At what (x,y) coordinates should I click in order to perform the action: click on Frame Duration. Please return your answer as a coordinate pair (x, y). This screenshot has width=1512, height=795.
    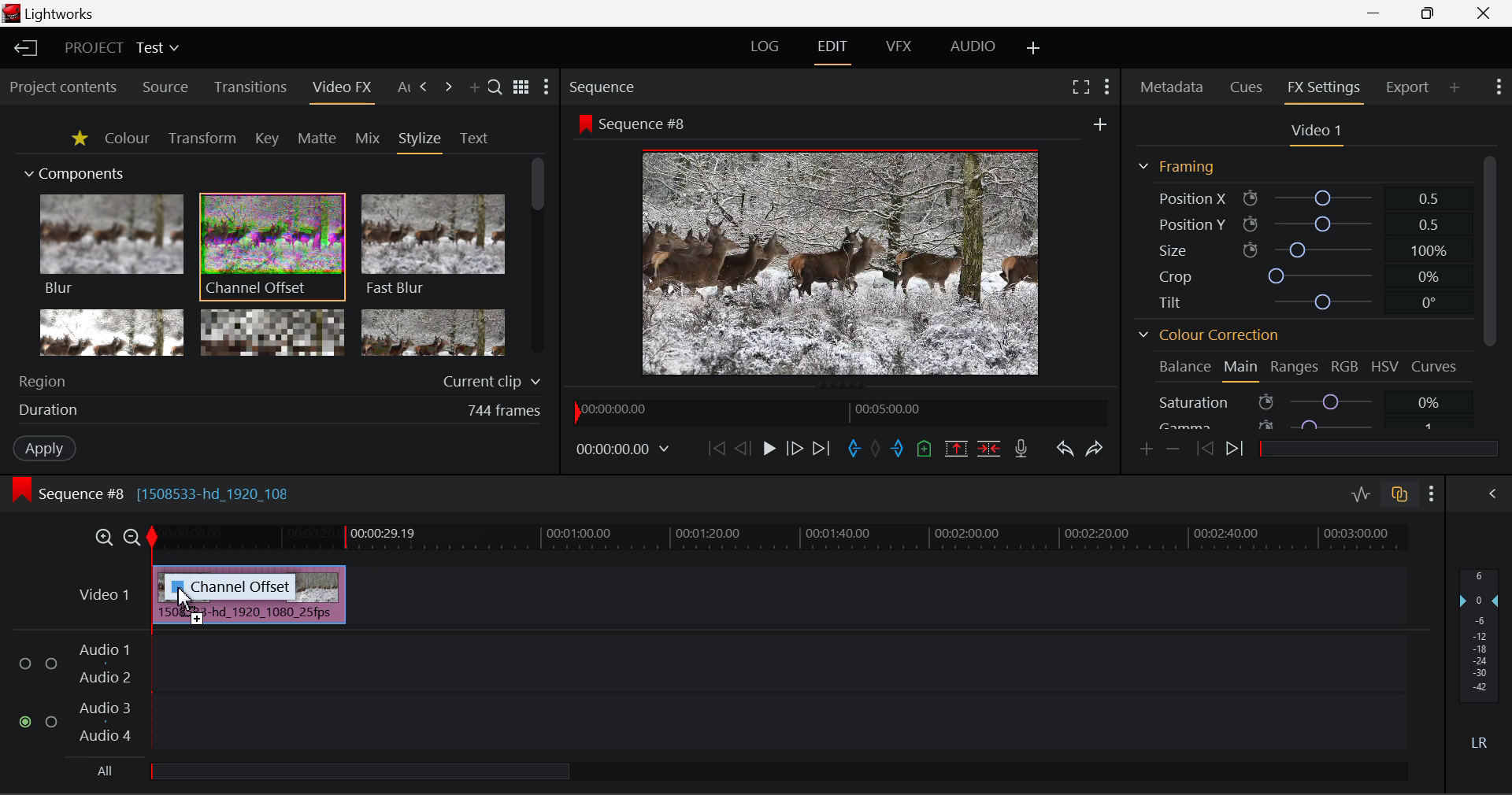
    Looking at the image, I should click on (280, 412).